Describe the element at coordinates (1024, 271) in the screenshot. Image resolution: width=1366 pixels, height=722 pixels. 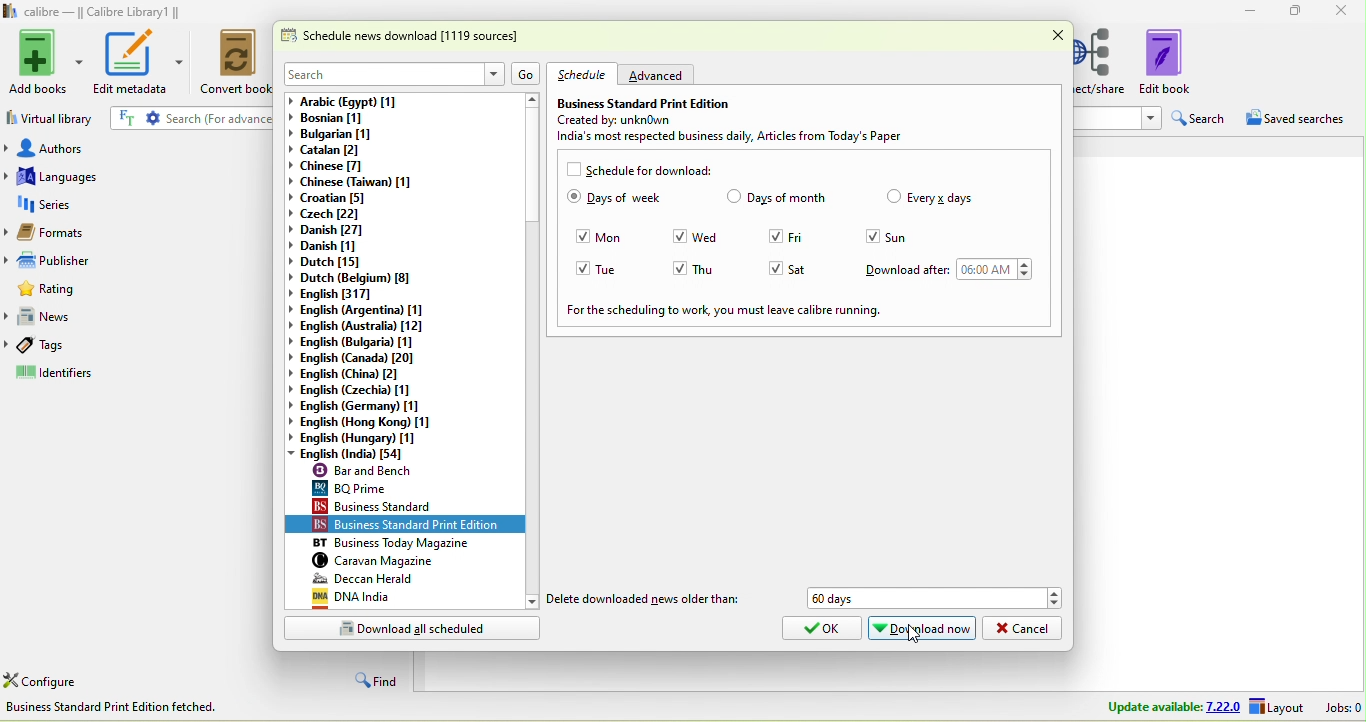
I see `Drop down` at that location.